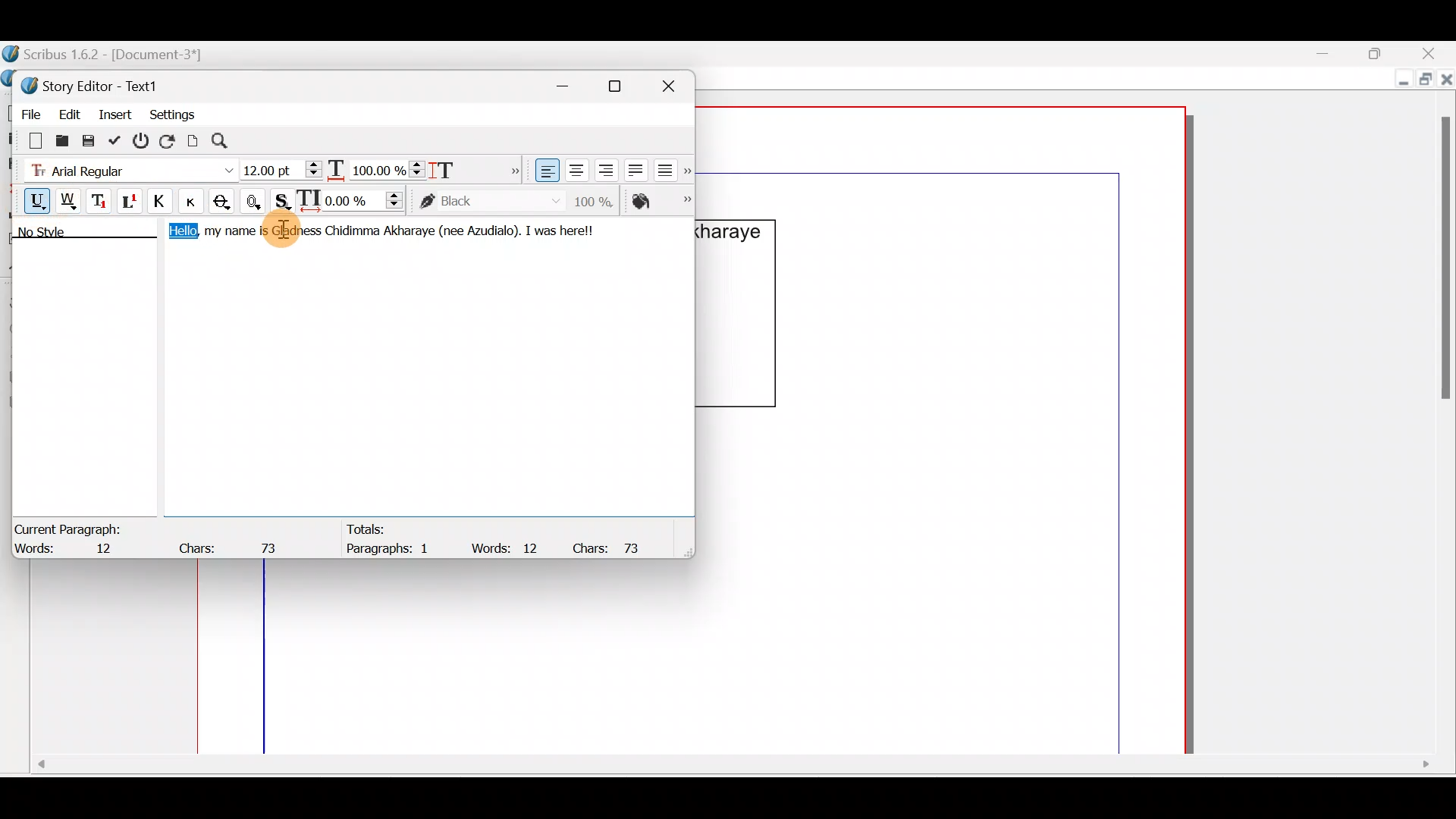 The height and width of the screenshot is (819, 1456). I want to click on Cursor, so click(292, 227).